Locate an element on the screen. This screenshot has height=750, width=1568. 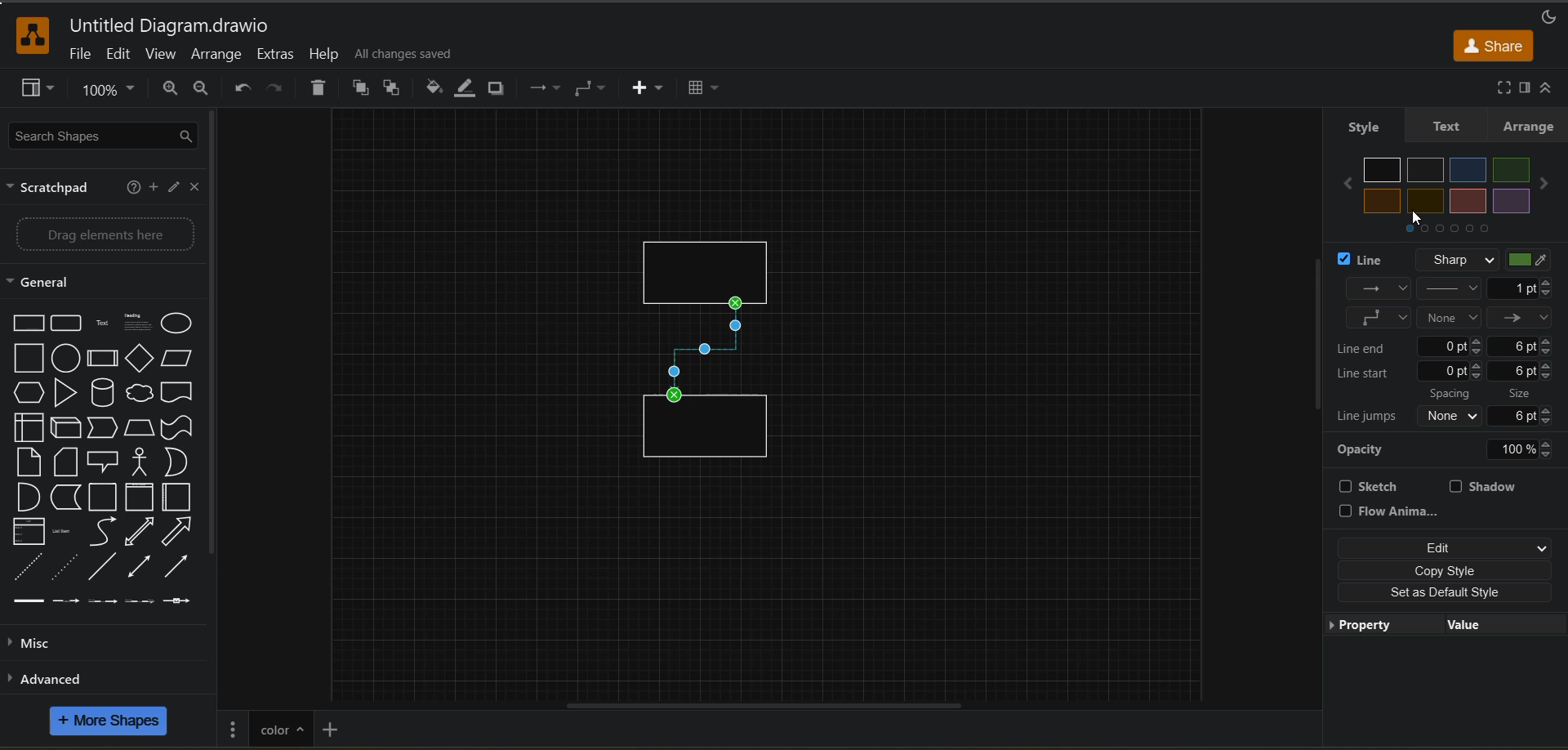
rectangle is located at coordinates (713, 262).